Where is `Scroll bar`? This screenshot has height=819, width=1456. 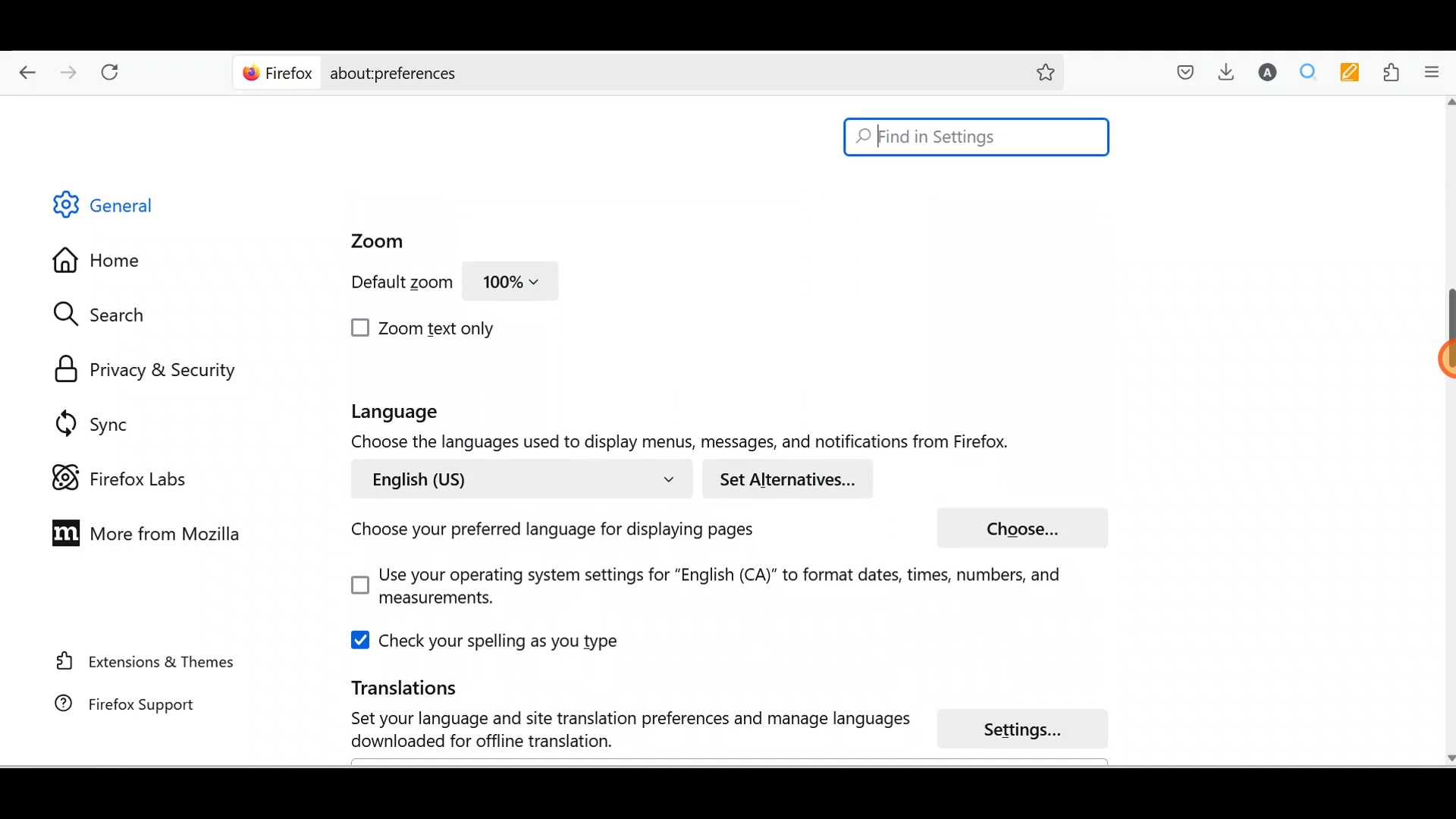
Scroll bar is located at coordinates (1445, 431).